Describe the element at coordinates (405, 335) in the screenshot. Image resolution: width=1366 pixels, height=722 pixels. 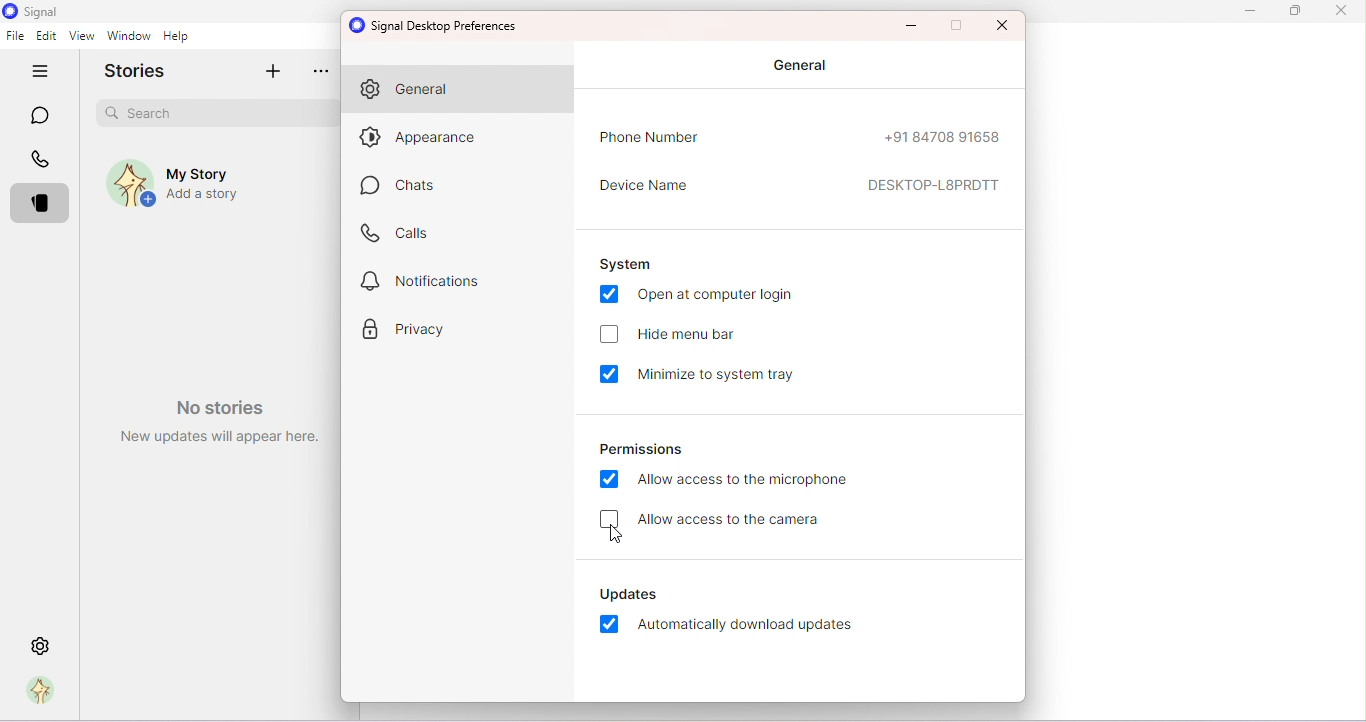
I see `Privacy` at that location.